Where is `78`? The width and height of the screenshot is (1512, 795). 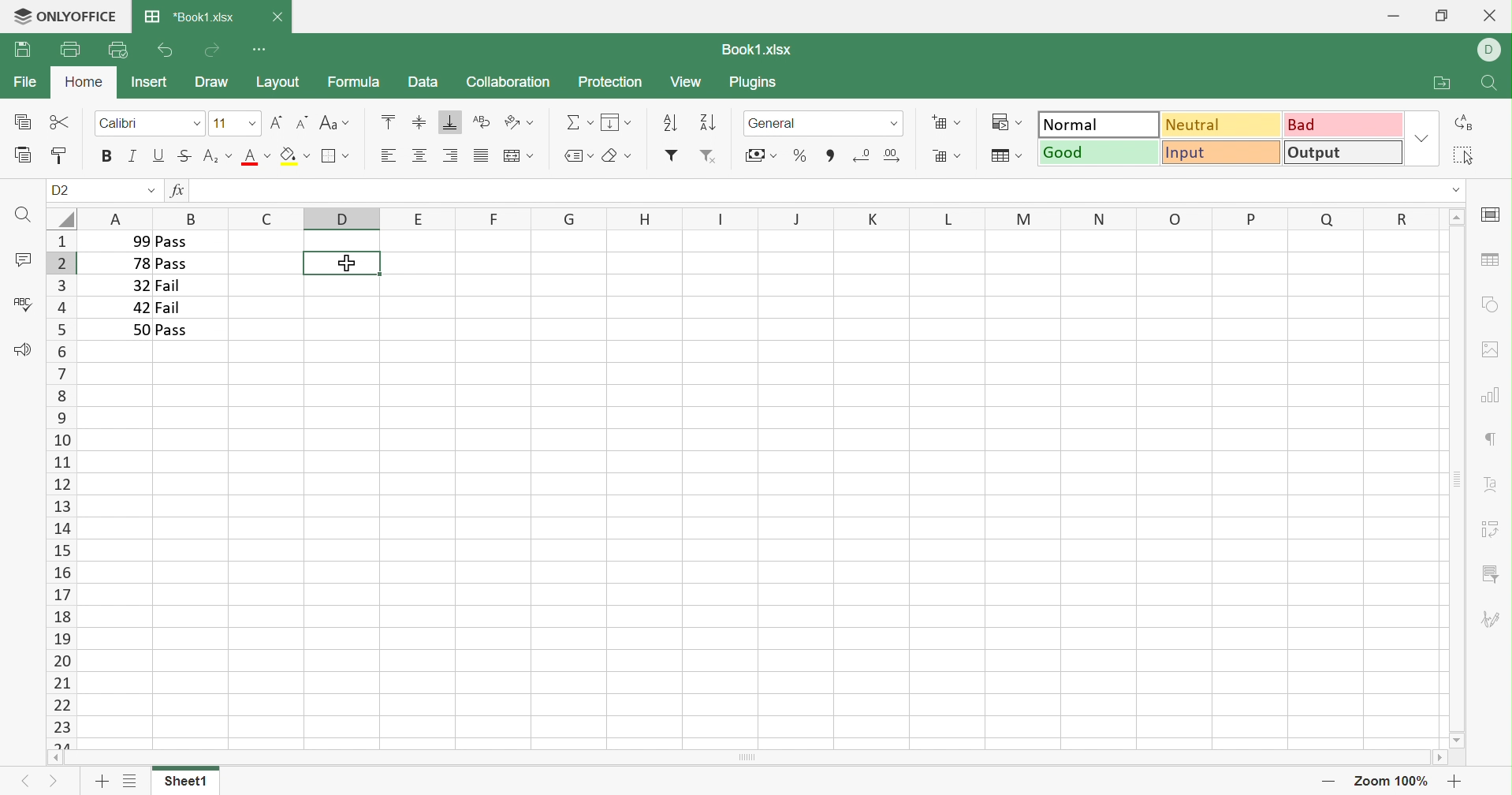 78 is located at coordinates (139, 264).